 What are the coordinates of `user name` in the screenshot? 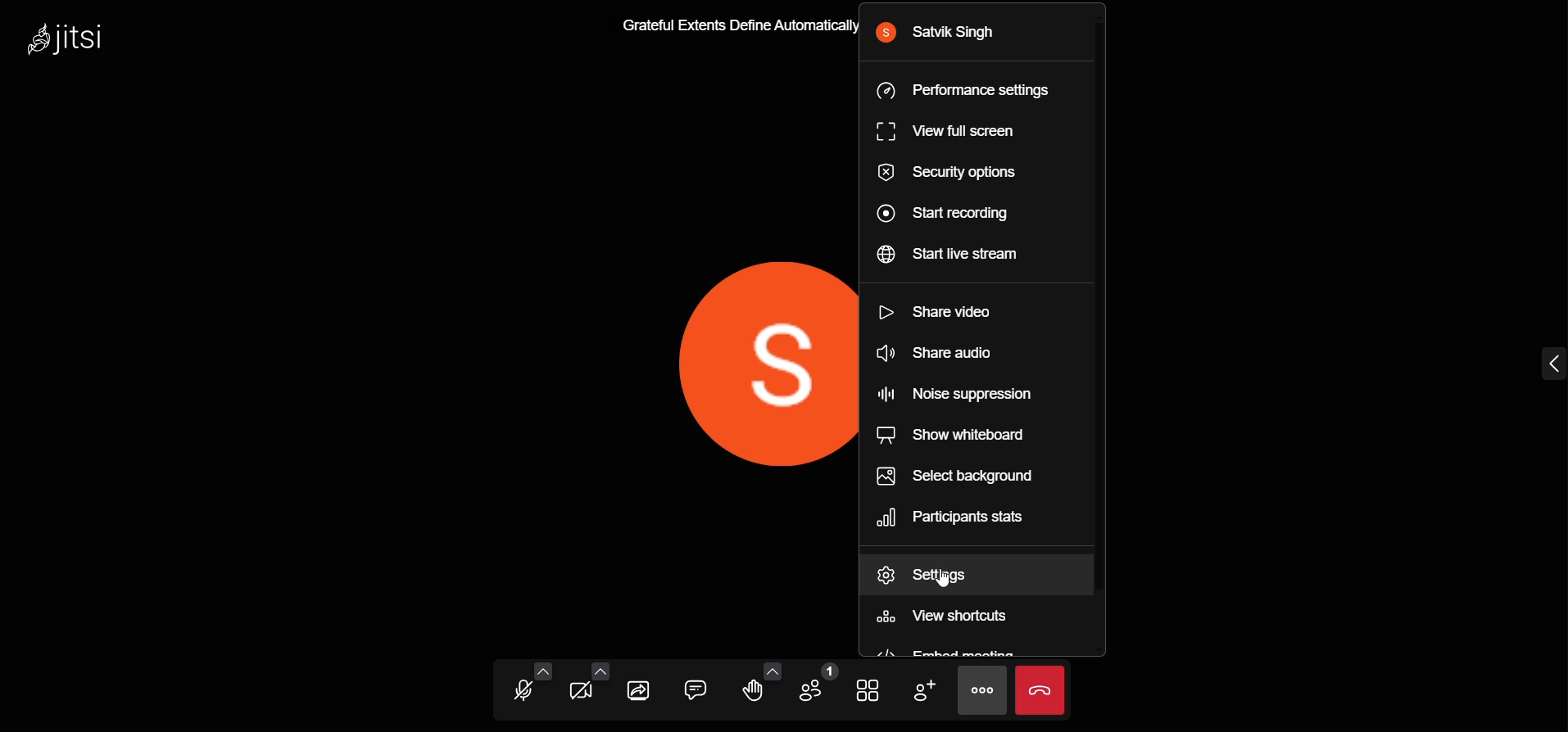 It's located at (958, 35).